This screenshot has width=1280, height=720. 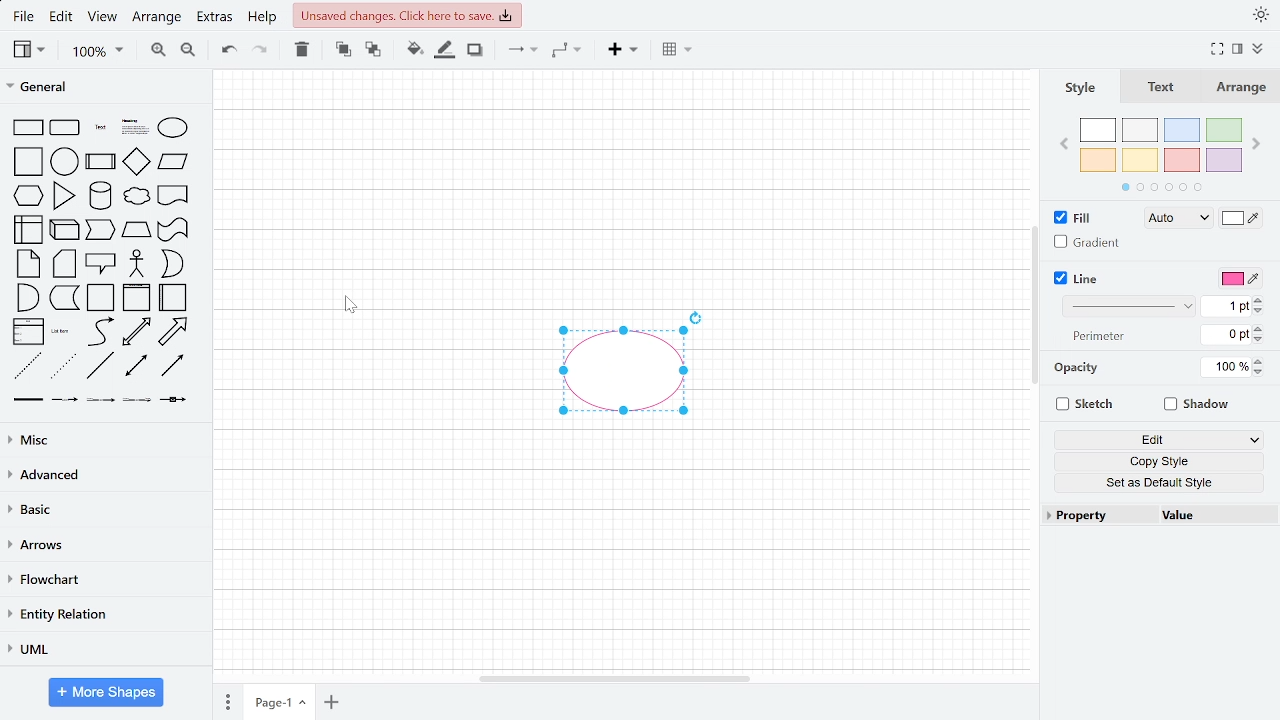 What do you see at coordinates (63, 367) in the screenshot?
I see `dotted line` at bounding box center [63, 367].